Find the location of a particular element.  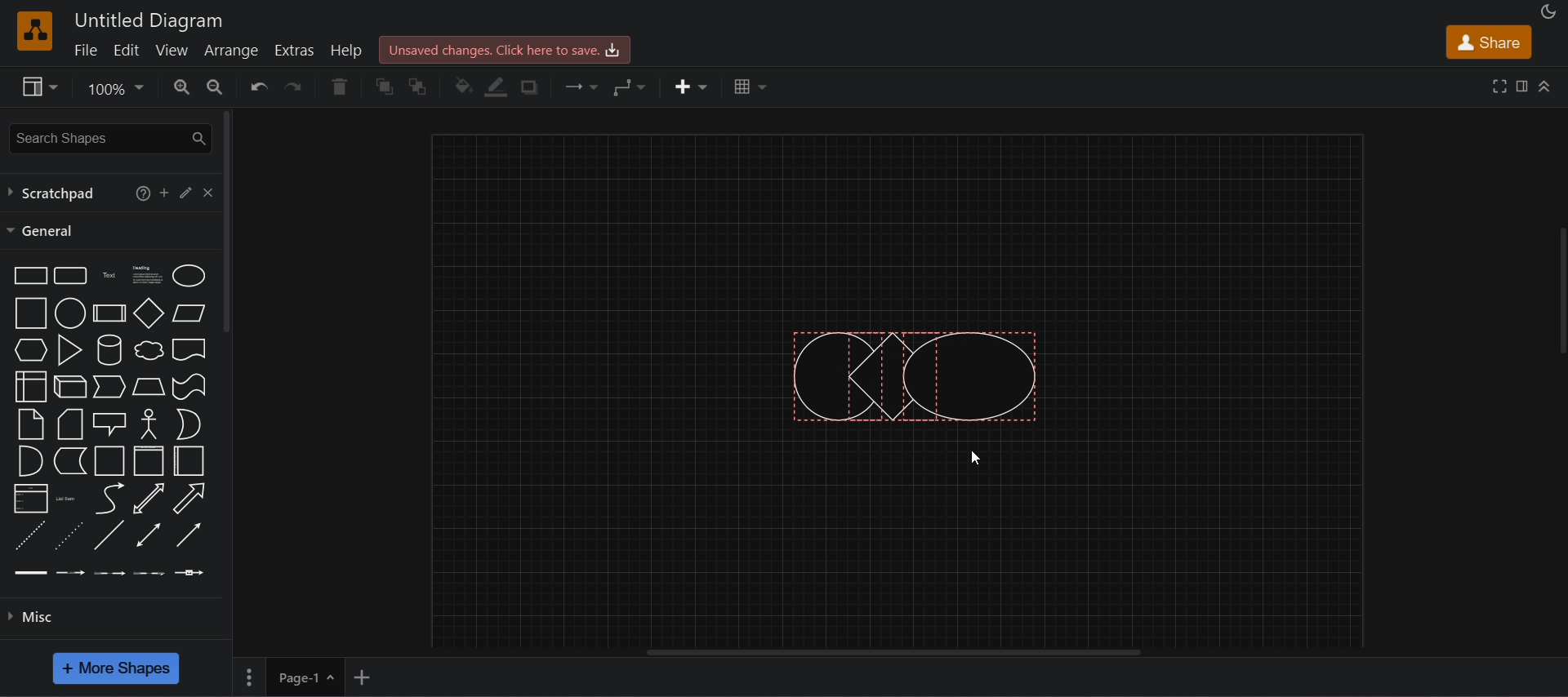

cloud is located at coordinates (147, 350).